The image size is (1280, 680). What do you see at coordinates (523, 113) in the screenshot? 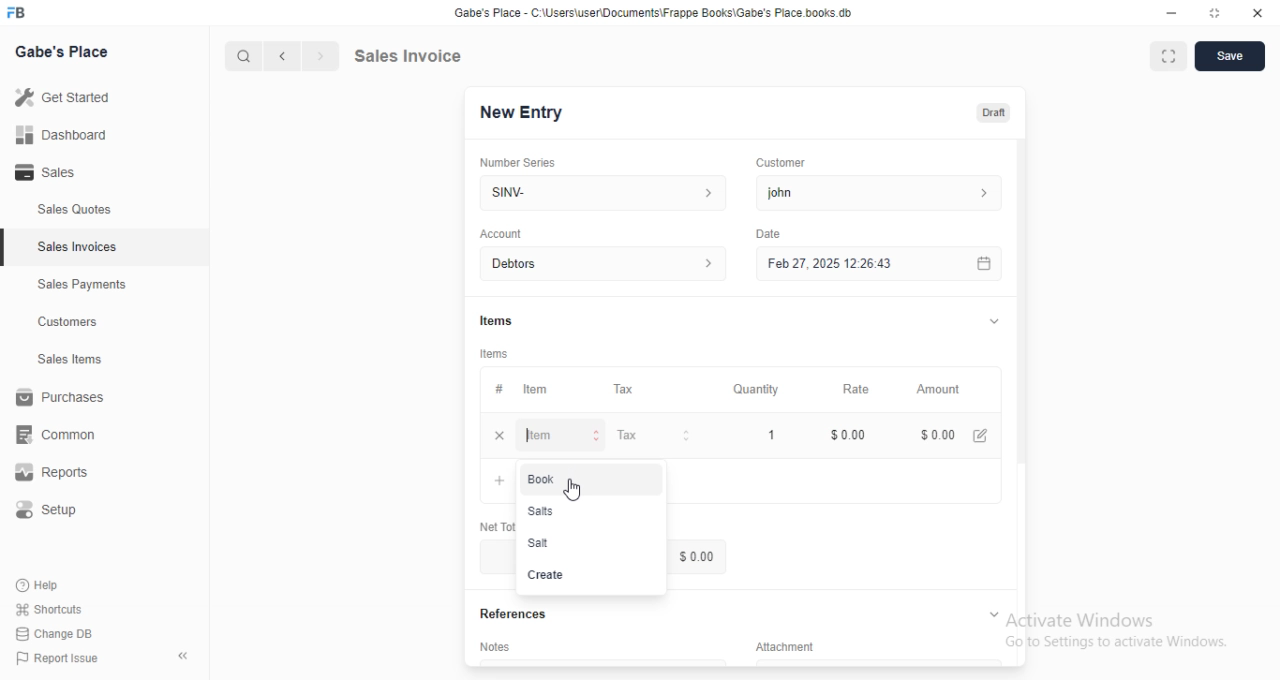
I see `New Entry` at bounding box center [523, 113].